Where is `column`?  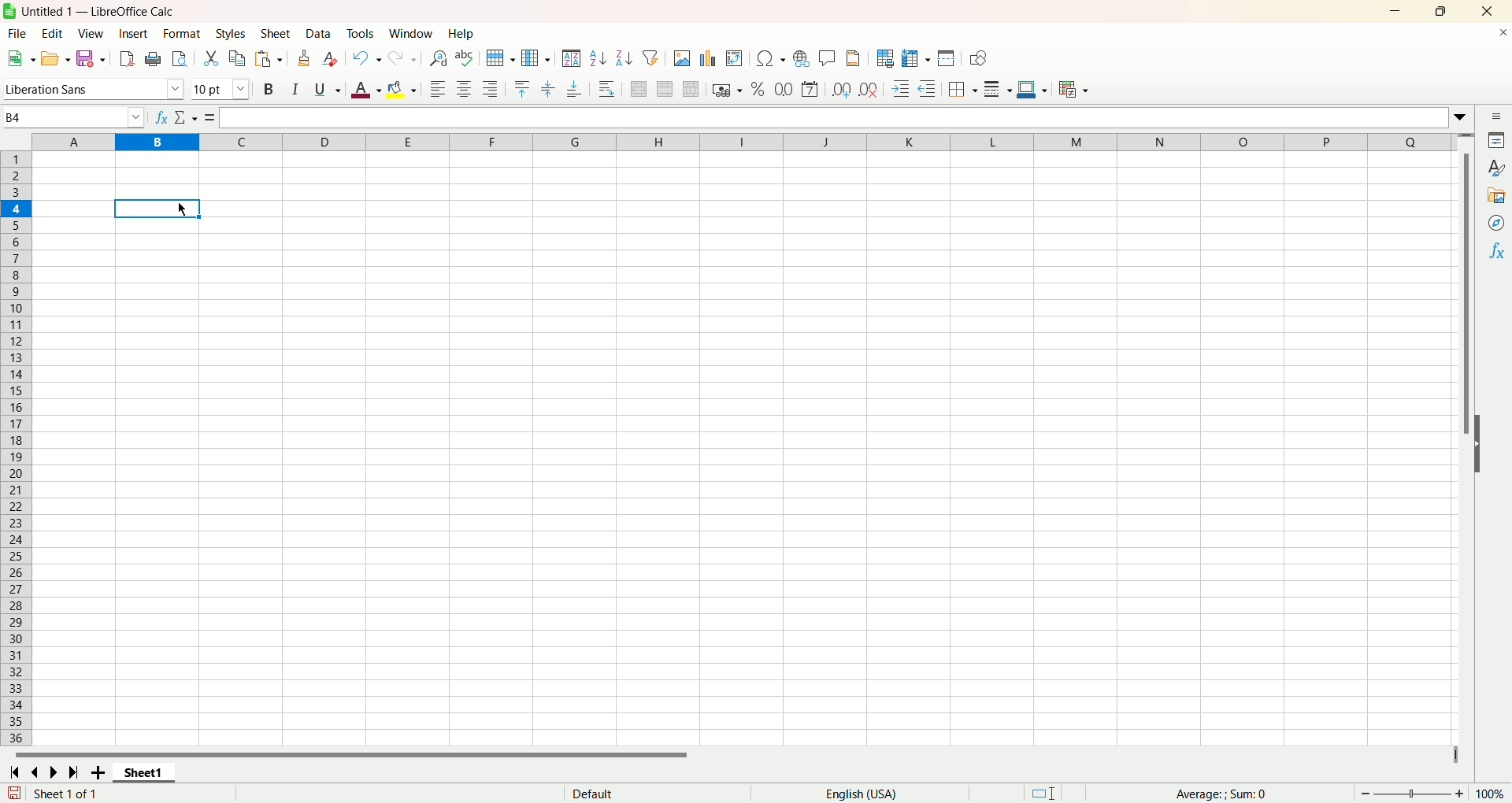
column is located at coordinates (535, 58).